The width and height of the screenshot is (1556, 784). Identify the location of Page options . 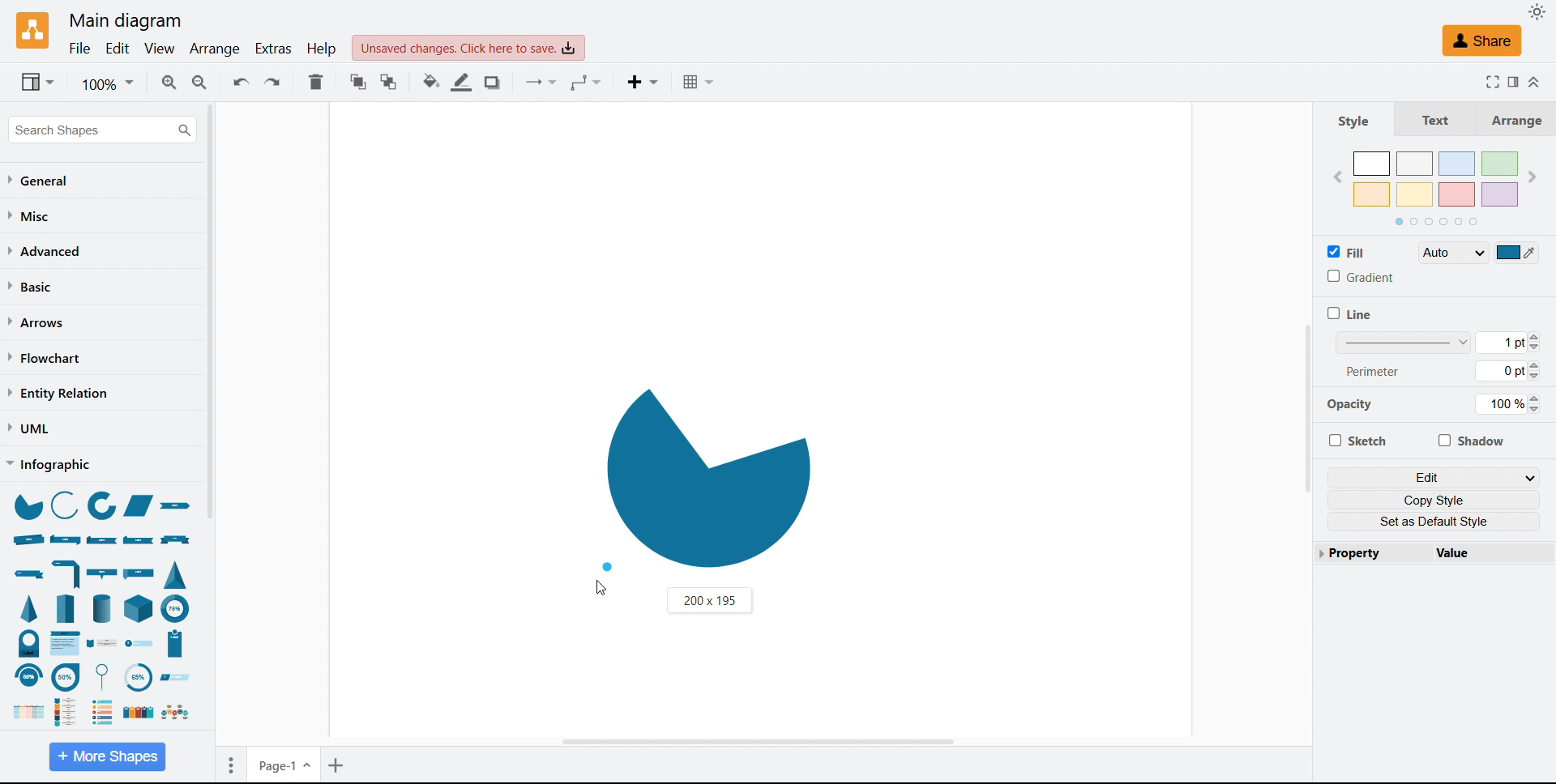
(231, 765).